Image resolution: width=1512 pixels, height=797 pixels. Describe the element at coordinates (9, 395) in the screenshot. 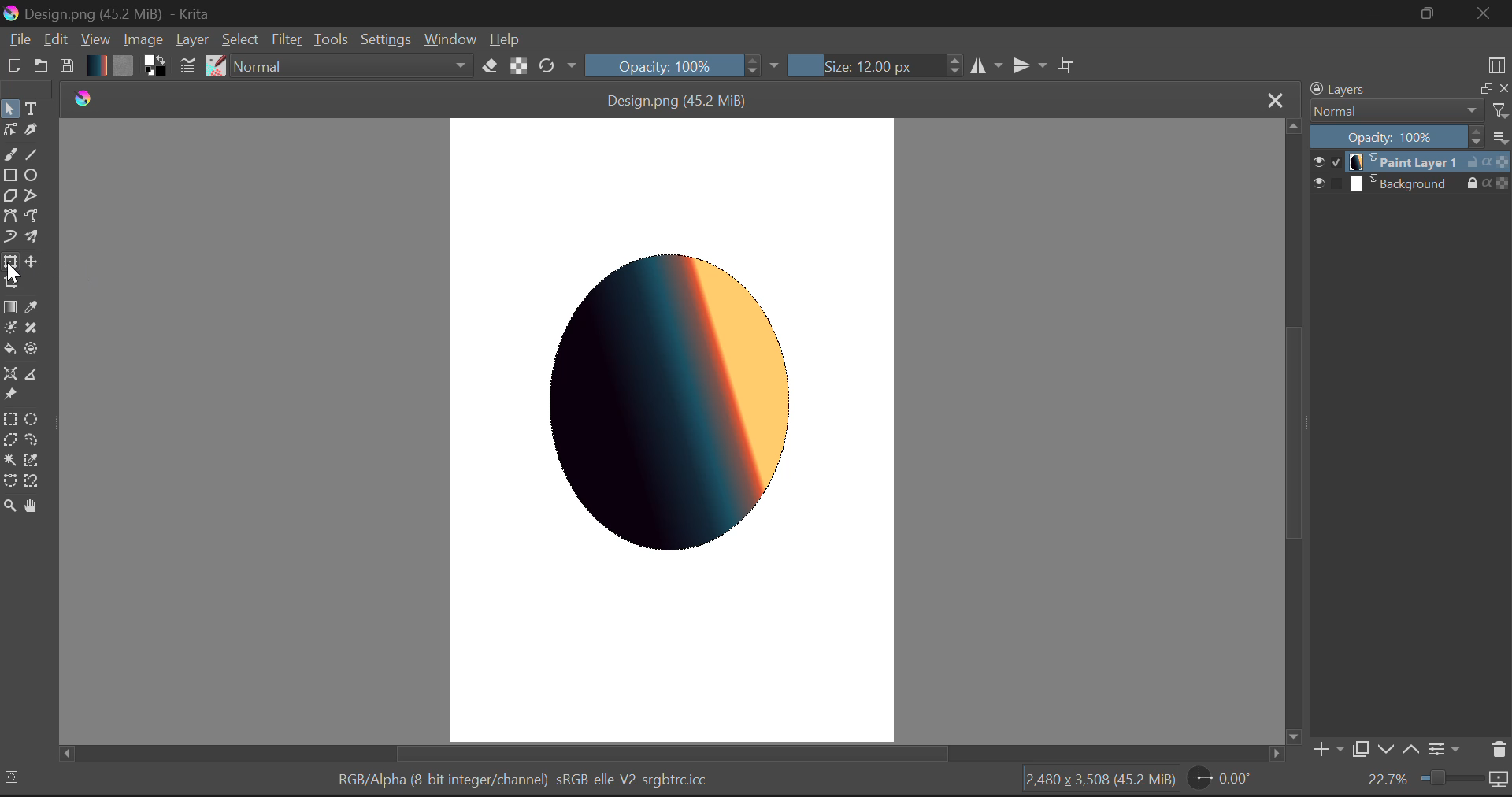

I see `Reference Image` at that location.